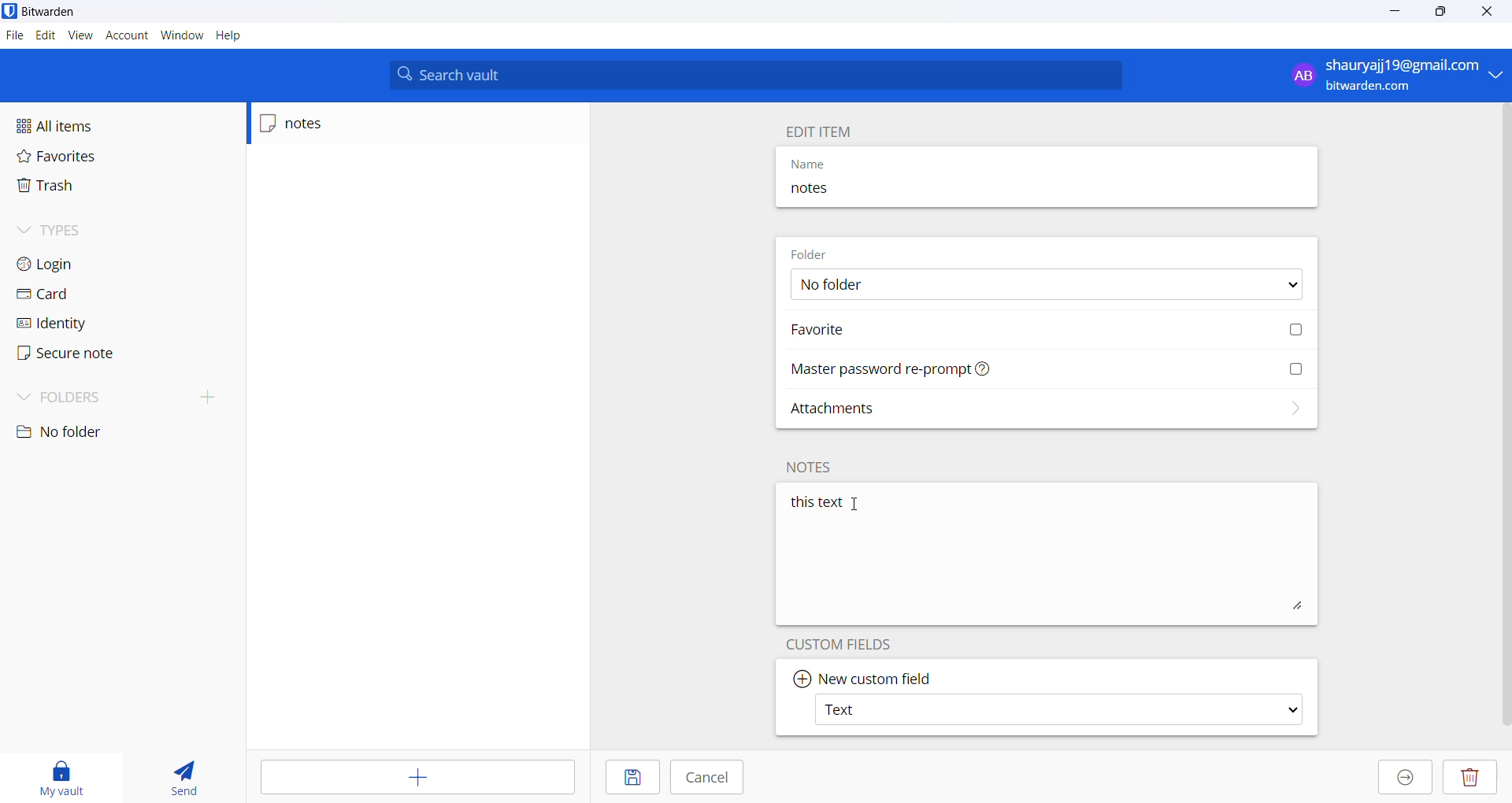 The image size is (1512, 803). What do you see at coordinates (1062, 712) in the screenshot?
I see `Text` at bounding box center [1062, 712].